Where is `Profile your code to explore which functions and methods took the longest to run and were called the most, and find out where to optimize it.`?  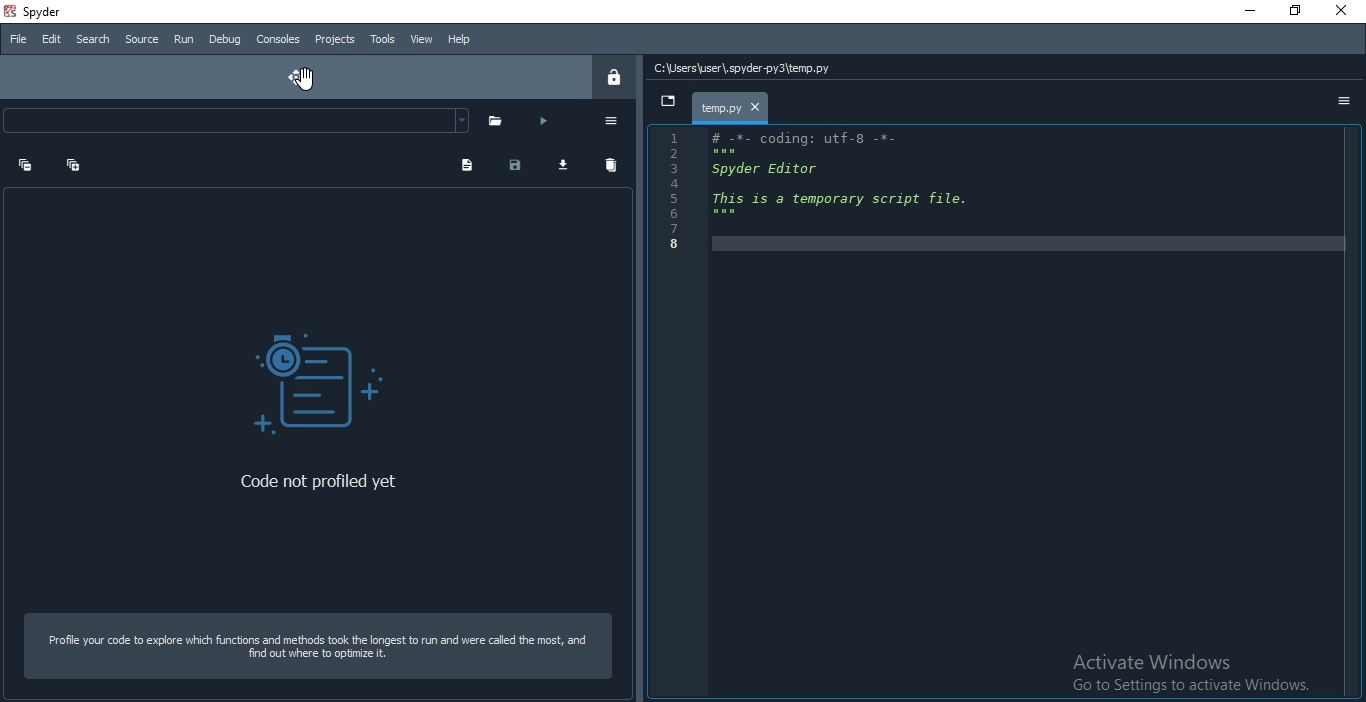 Profile your code to explore which functions and methods took the longest to run and were called the most, and find out where to optimize it. is located at coordinates (318, 645).